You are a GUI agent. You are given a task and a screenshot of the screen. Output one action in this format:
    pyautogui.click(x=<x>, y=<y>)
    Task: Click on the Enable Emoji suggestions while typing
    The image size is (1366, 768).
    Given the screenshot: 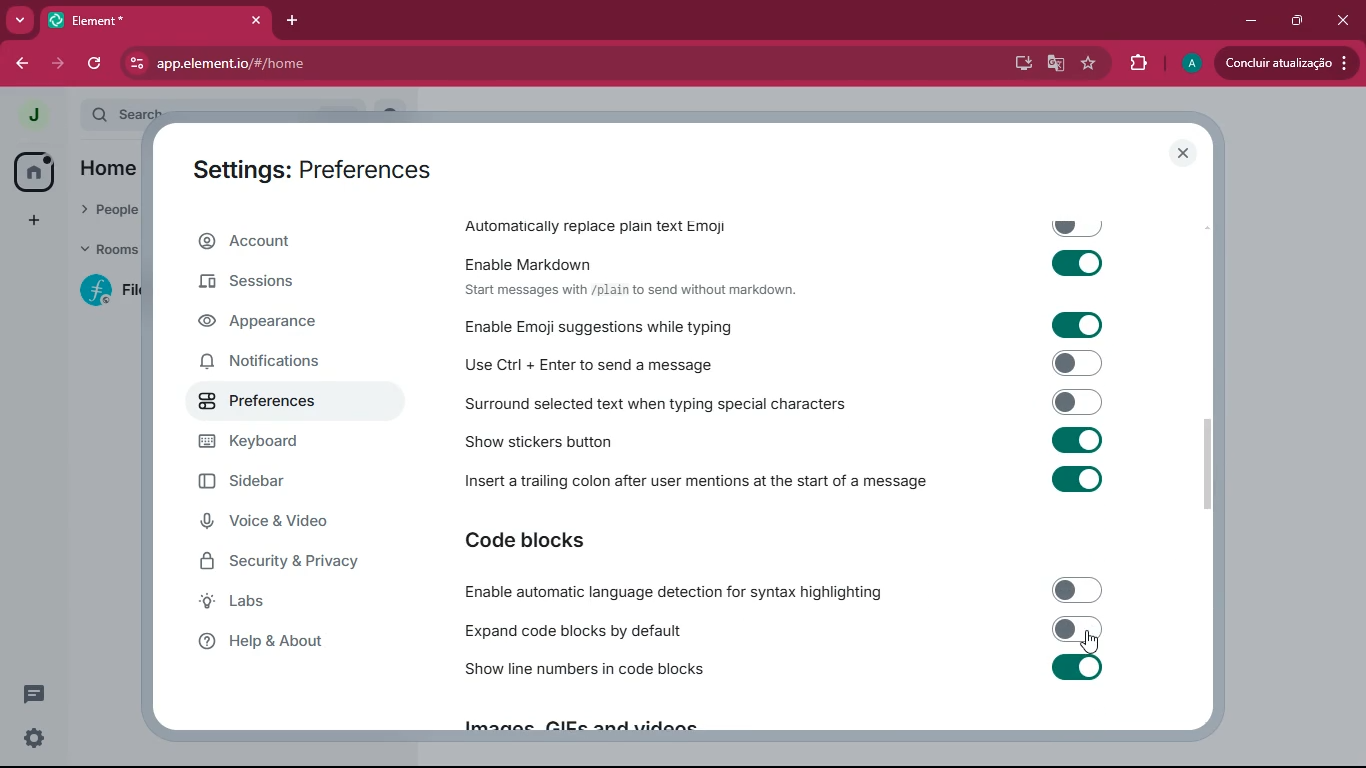 What is the action you would take?
    pyautogui.click(x=794, y=325)
    